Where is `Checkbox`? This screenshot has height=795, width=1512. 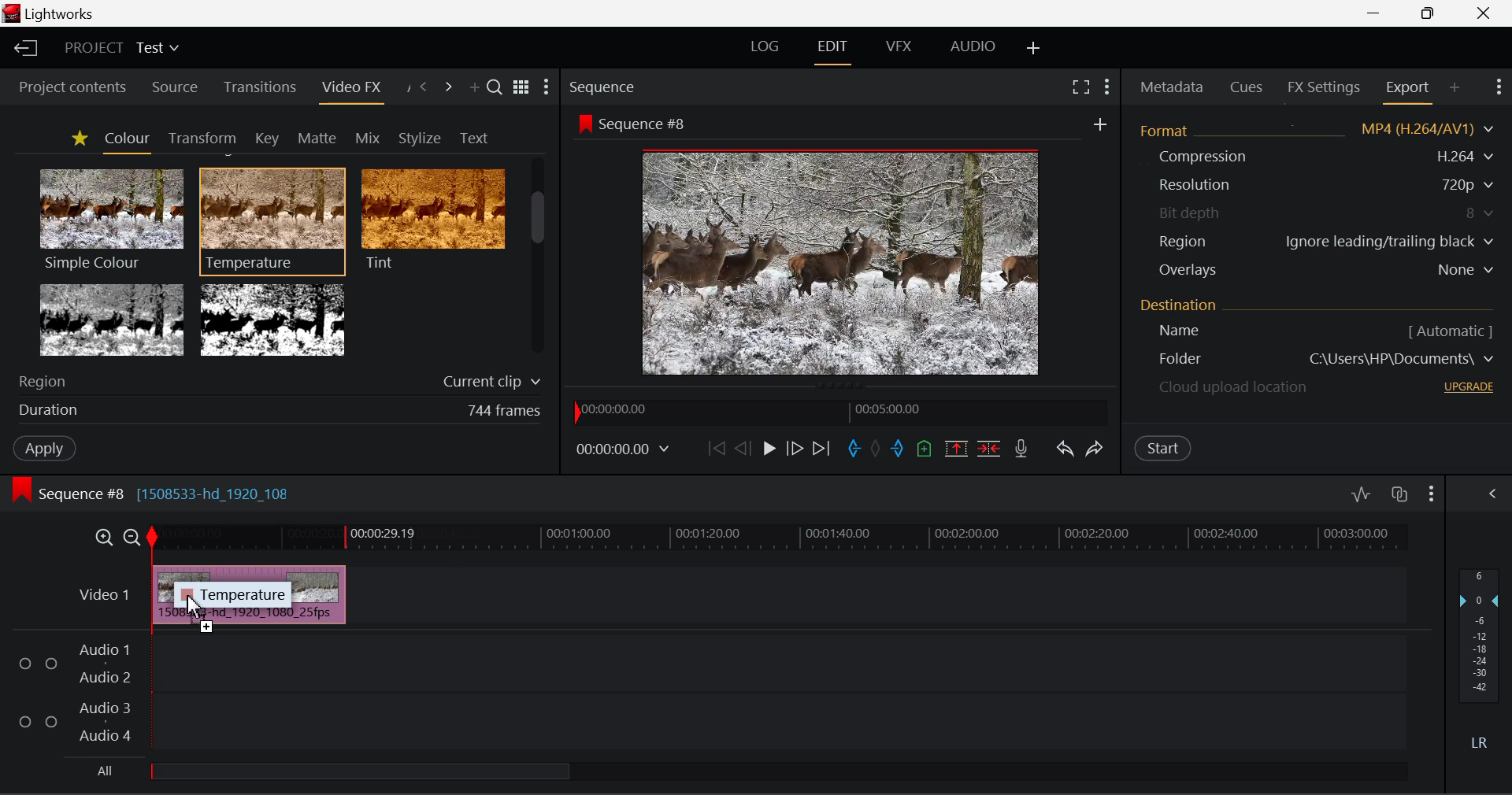
Checkbox is located at coordinates (25, 720).